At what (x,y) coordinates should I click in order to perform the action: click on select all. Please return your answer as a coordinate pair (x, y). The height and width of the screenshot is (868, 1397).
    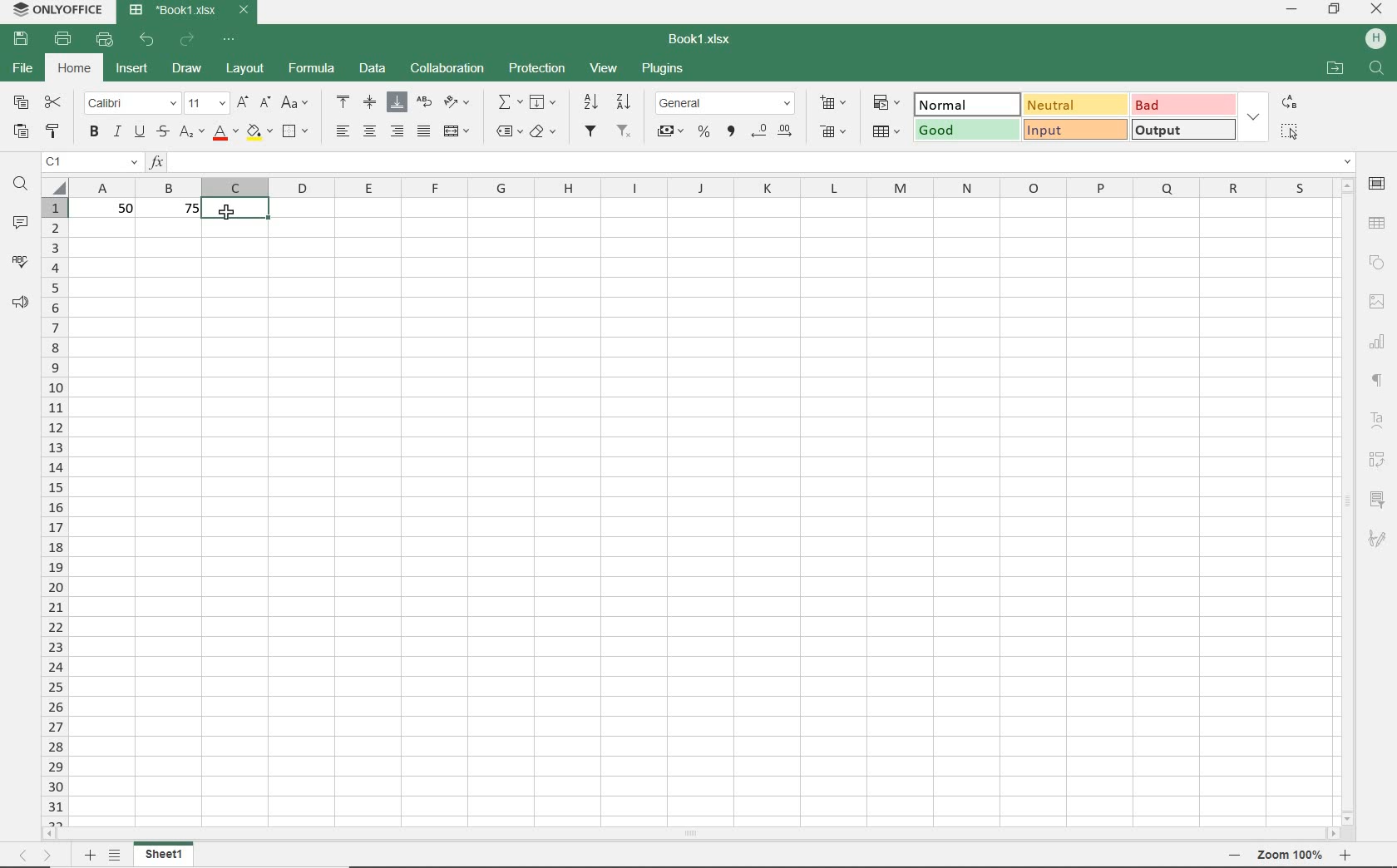
    Looking at the image, I should click on (1292, 131).